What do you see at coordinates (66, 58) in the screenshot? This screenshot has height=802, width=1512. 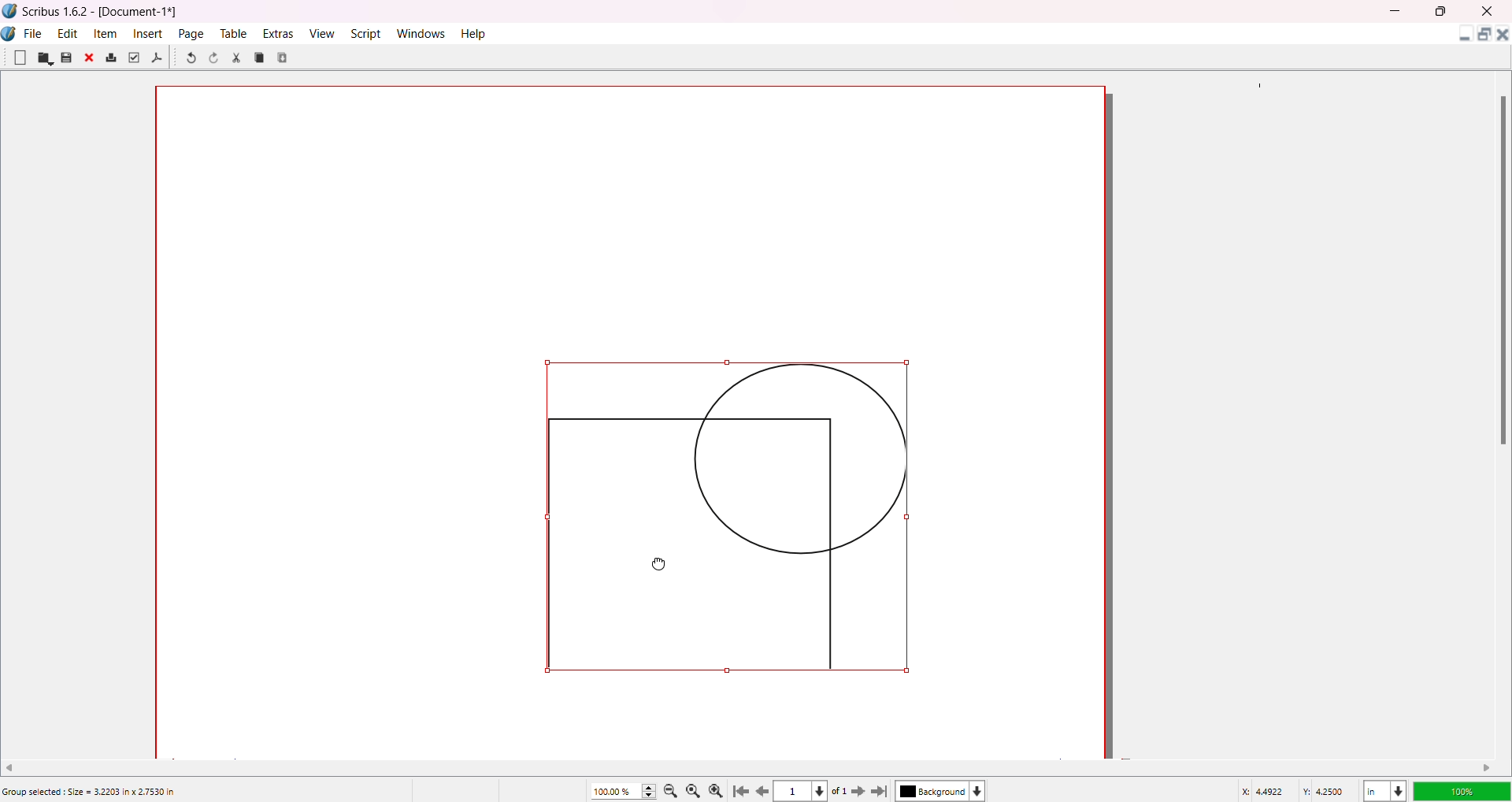 I see `Save` at bounding box center [66, 58].